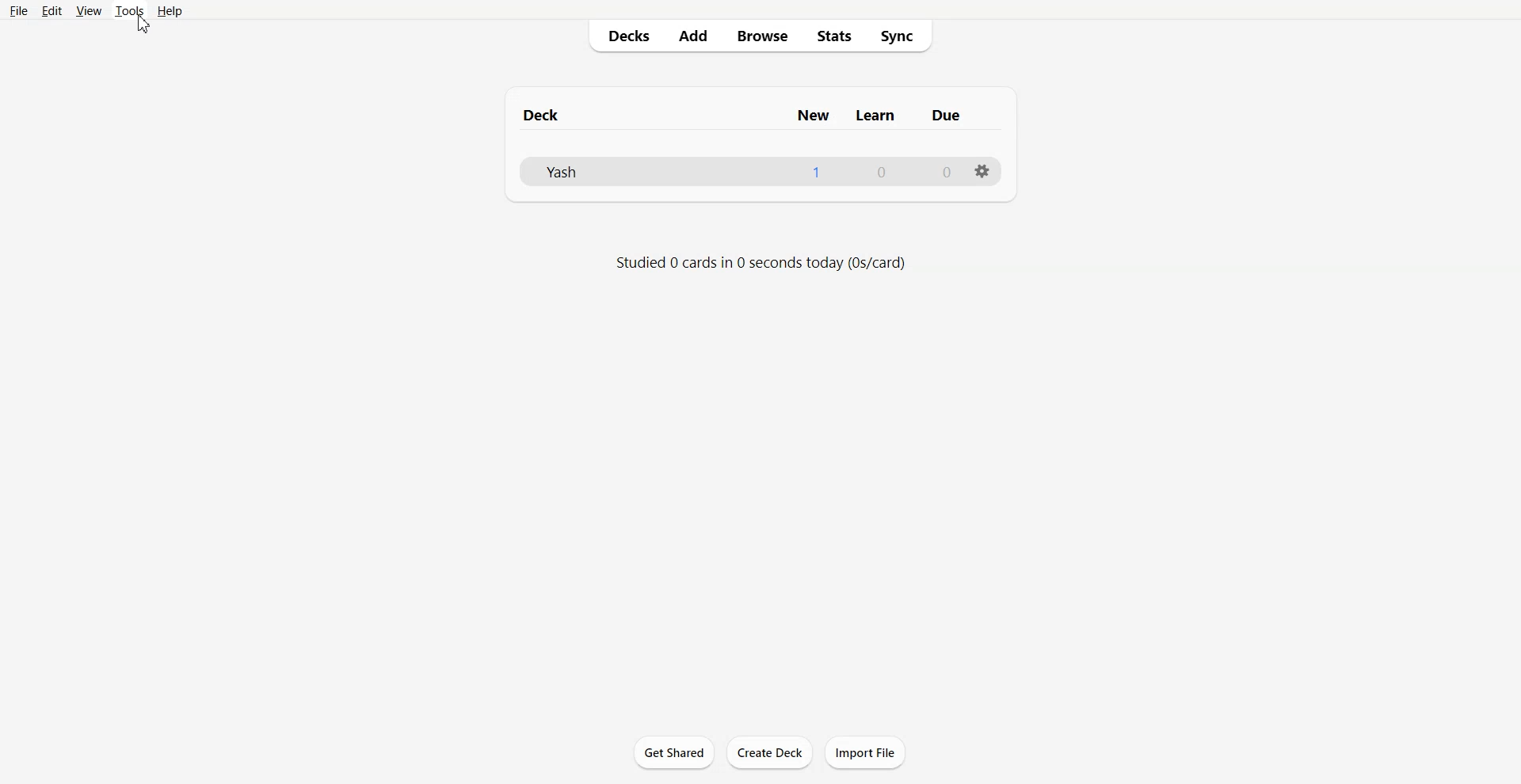  What do you see at coordinates (694, 36) in the screenshot?
I see `Add` at bounding box center [694, 36].